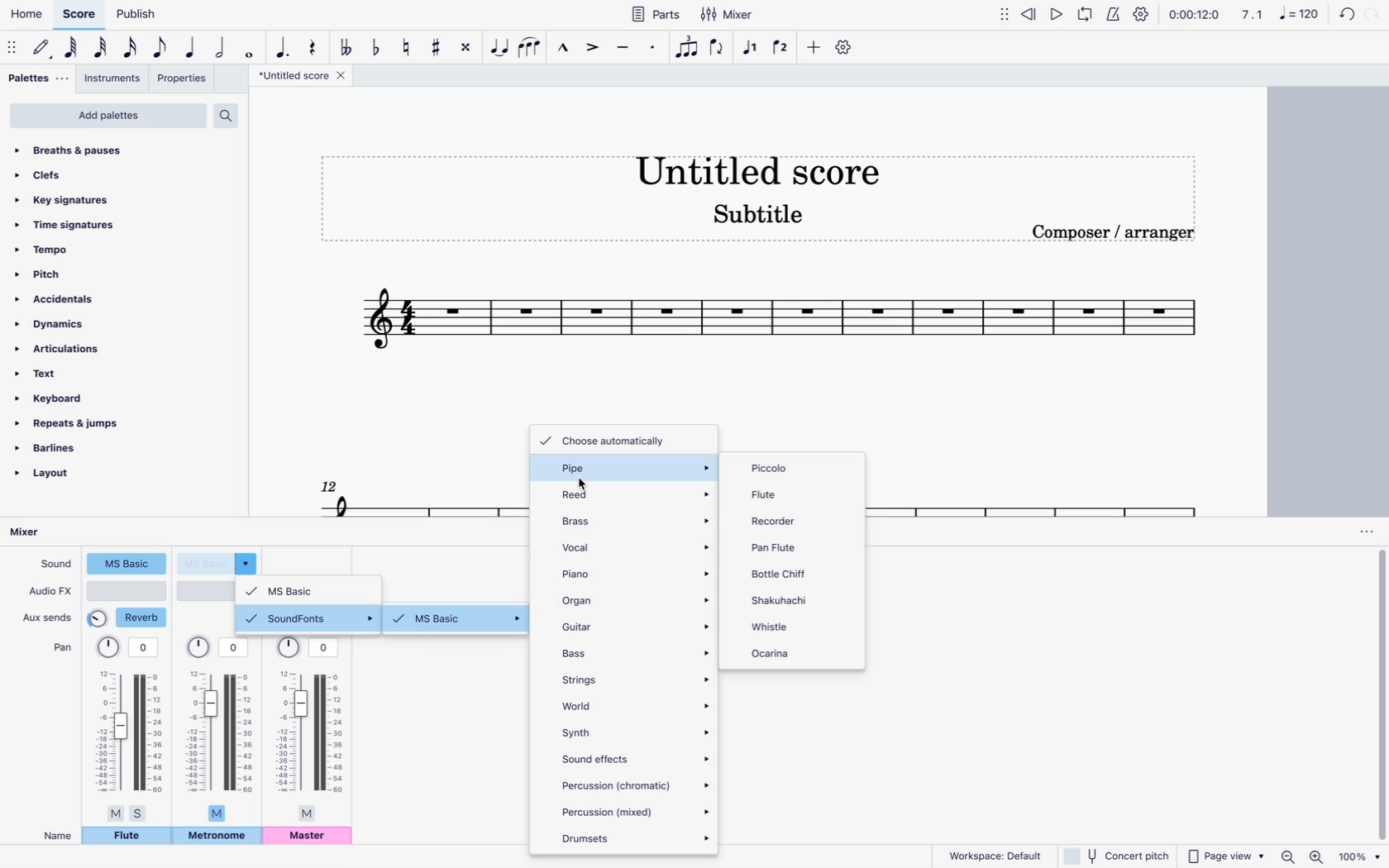 This screenshot has width=1389, height=868. I want to click on synth, so click(638, 732).